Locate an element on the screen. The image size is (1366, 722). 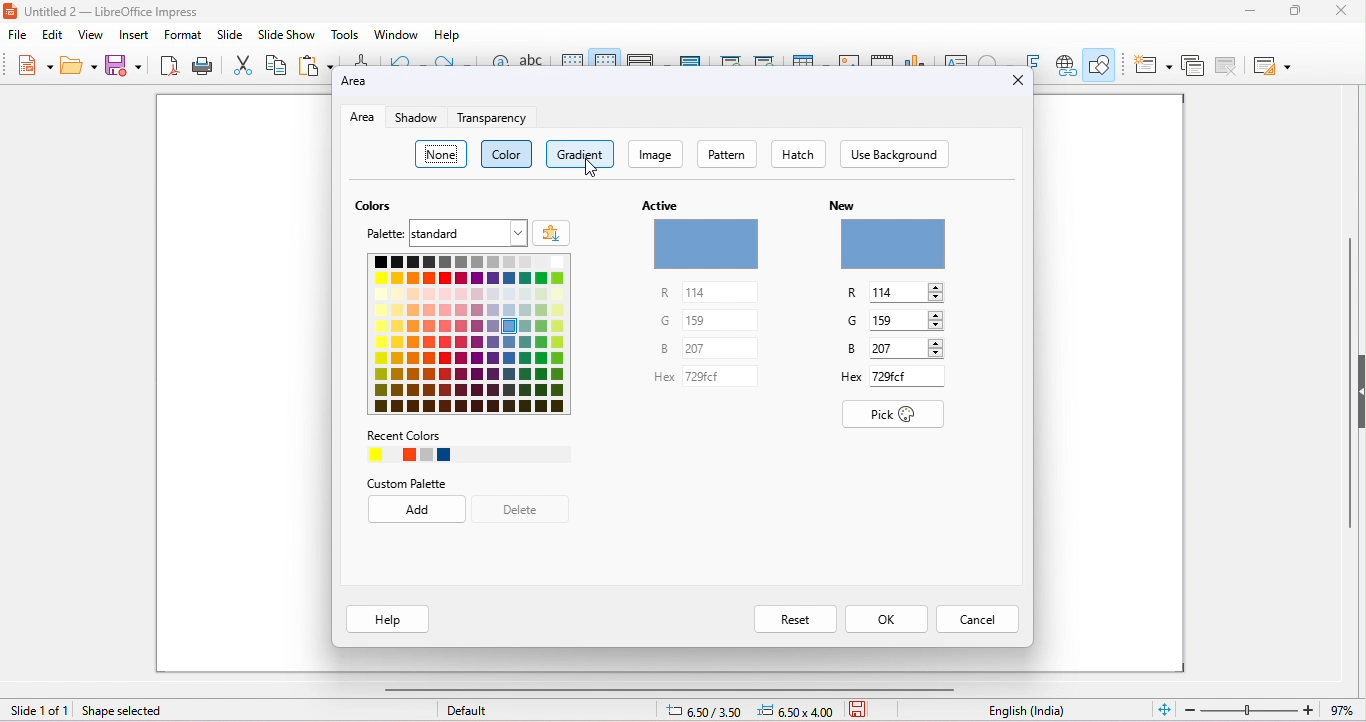
207 is located at coordinates (721, 348).